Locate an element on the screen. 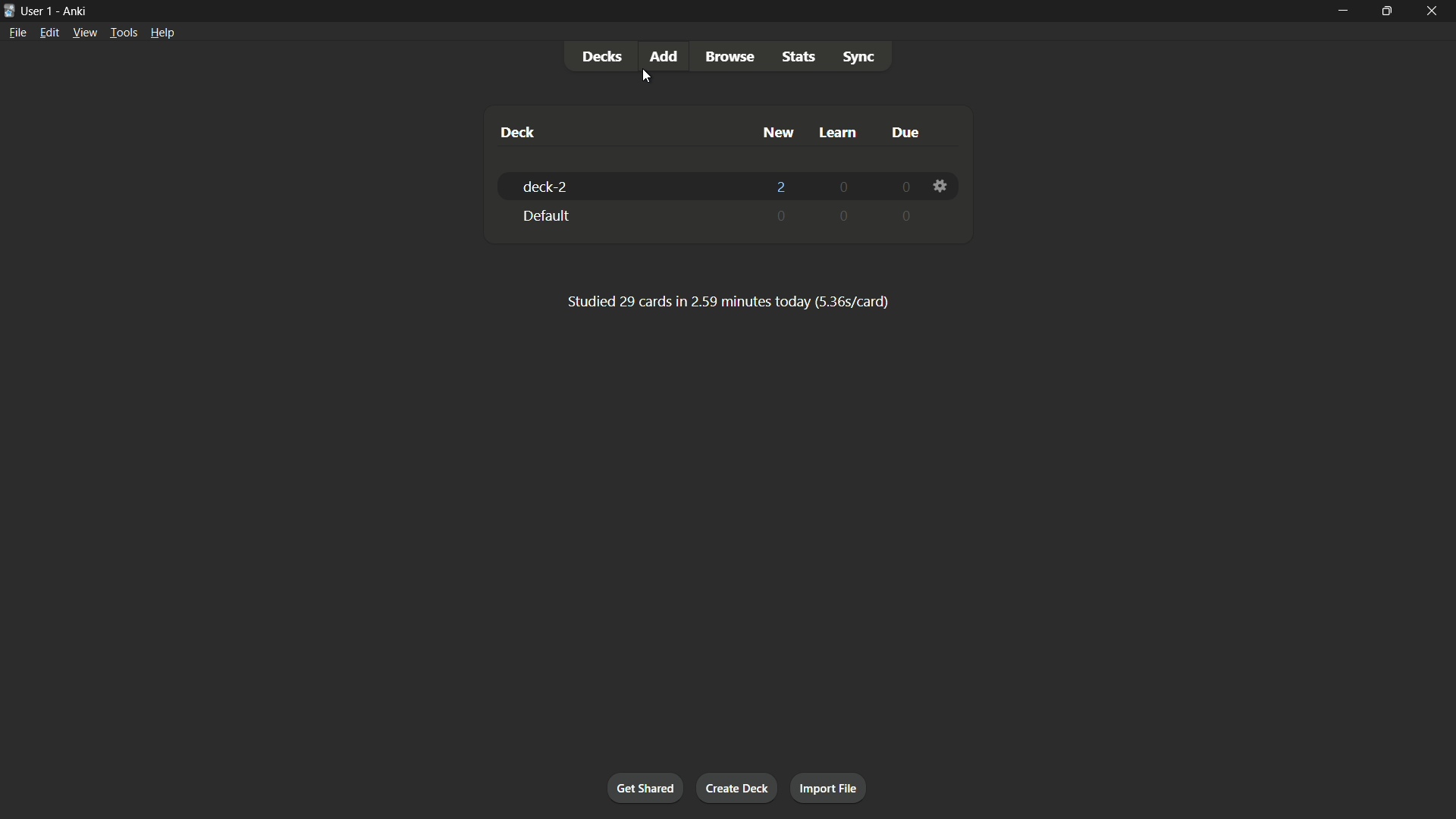 The width and height of the screenshot is (1456, 819). text is located at coordinates (726, 303).